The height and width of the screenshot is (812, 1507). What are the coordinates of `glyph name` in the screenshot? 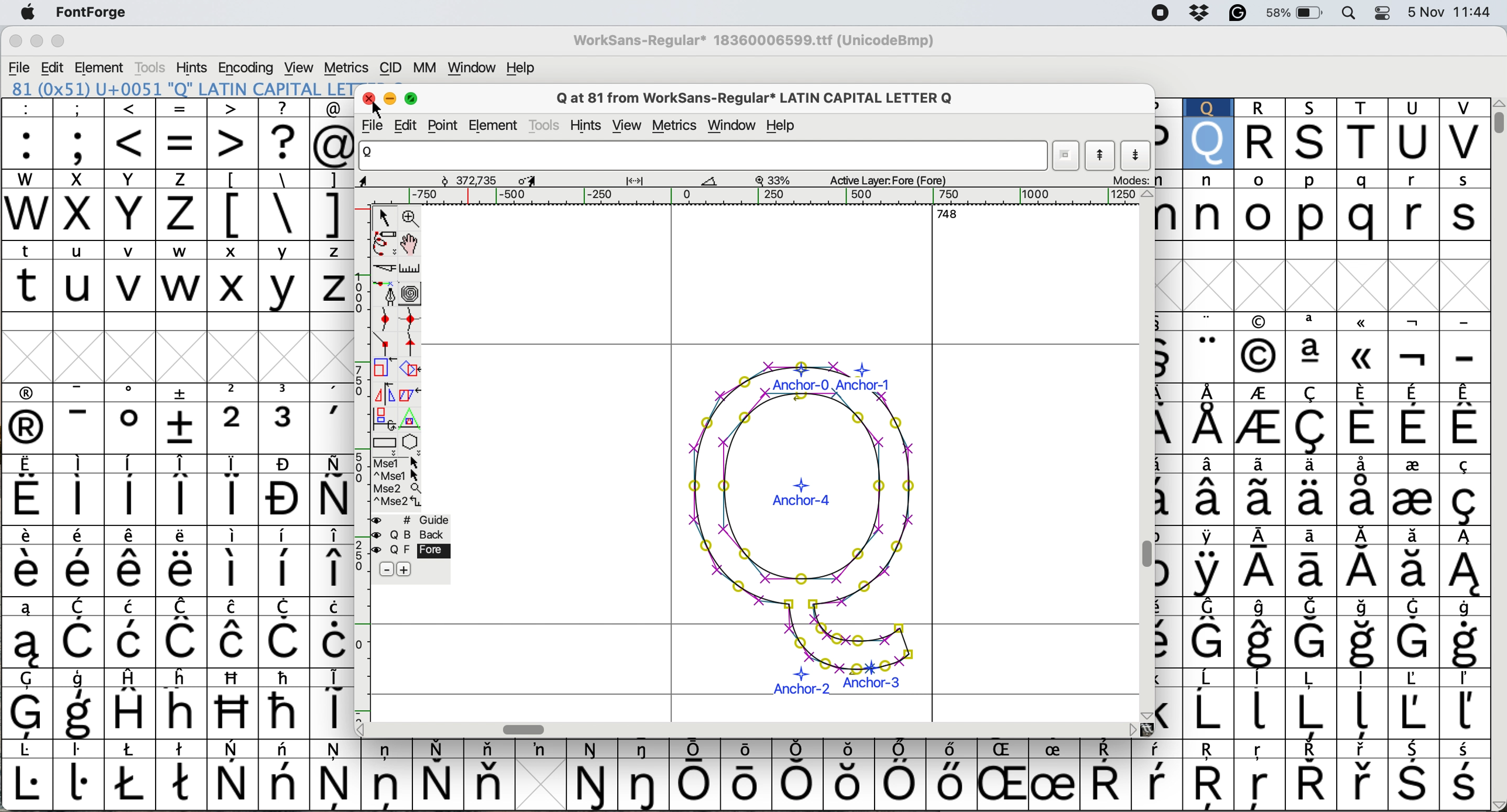 It's located at (704, 156).